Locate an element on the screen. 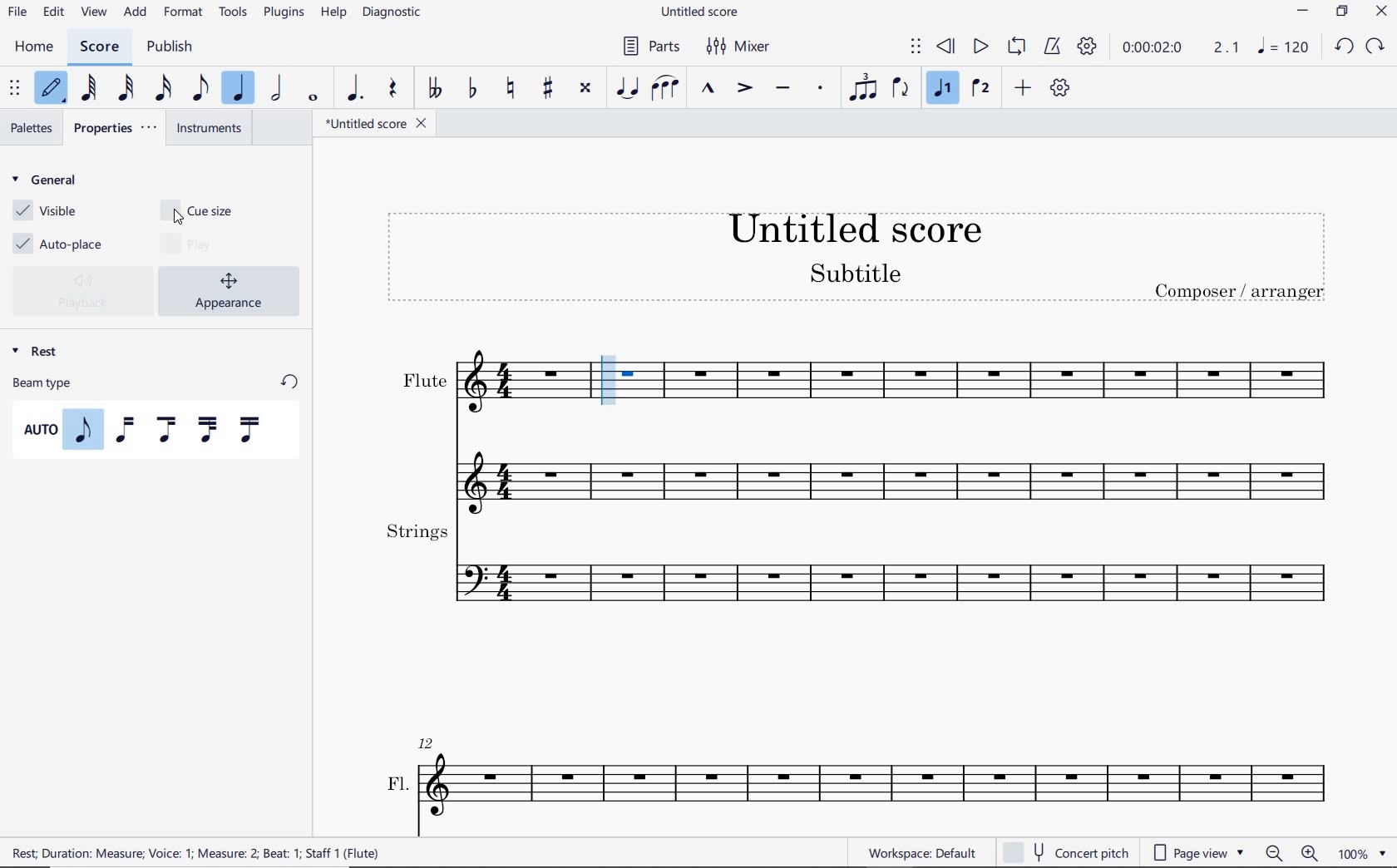  zoom out or zoom in is located at coordinates (1295, 854).